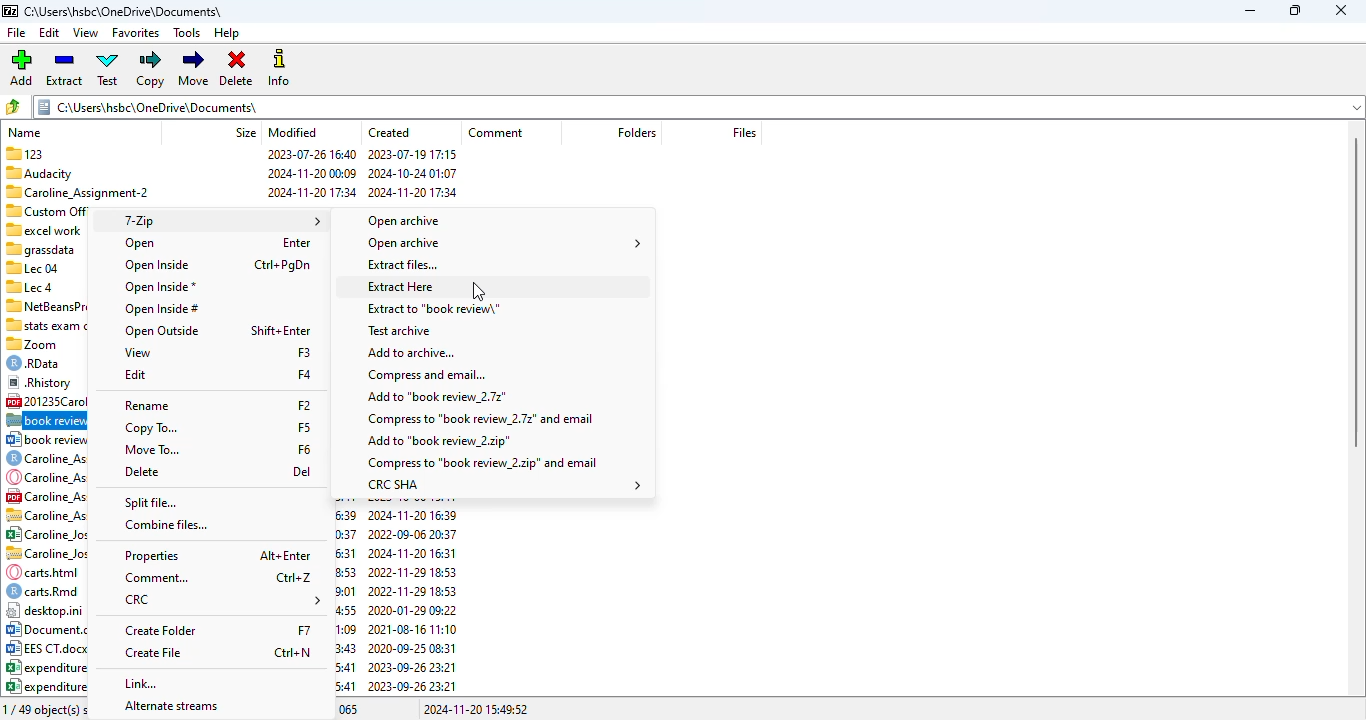 The width and height of the screenshot is (1366, 720). What do you see at coordinates (193, 69) in the screenshot?
I see `move` at bounding box center [193, 69].